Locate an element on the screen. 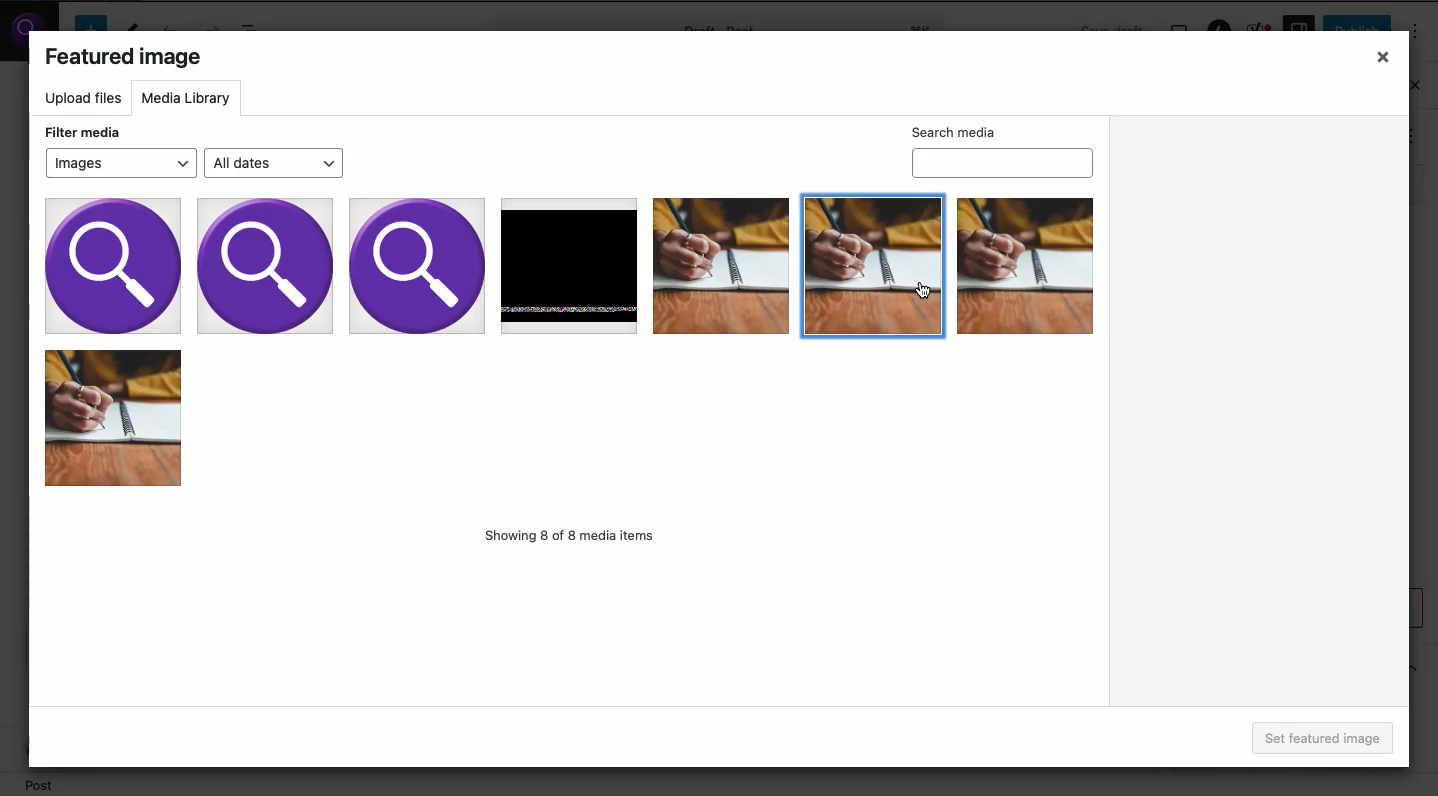 Image resolution: width=1438 pixels, height=796 pixels. Search media is located at coordinates (953, 133).